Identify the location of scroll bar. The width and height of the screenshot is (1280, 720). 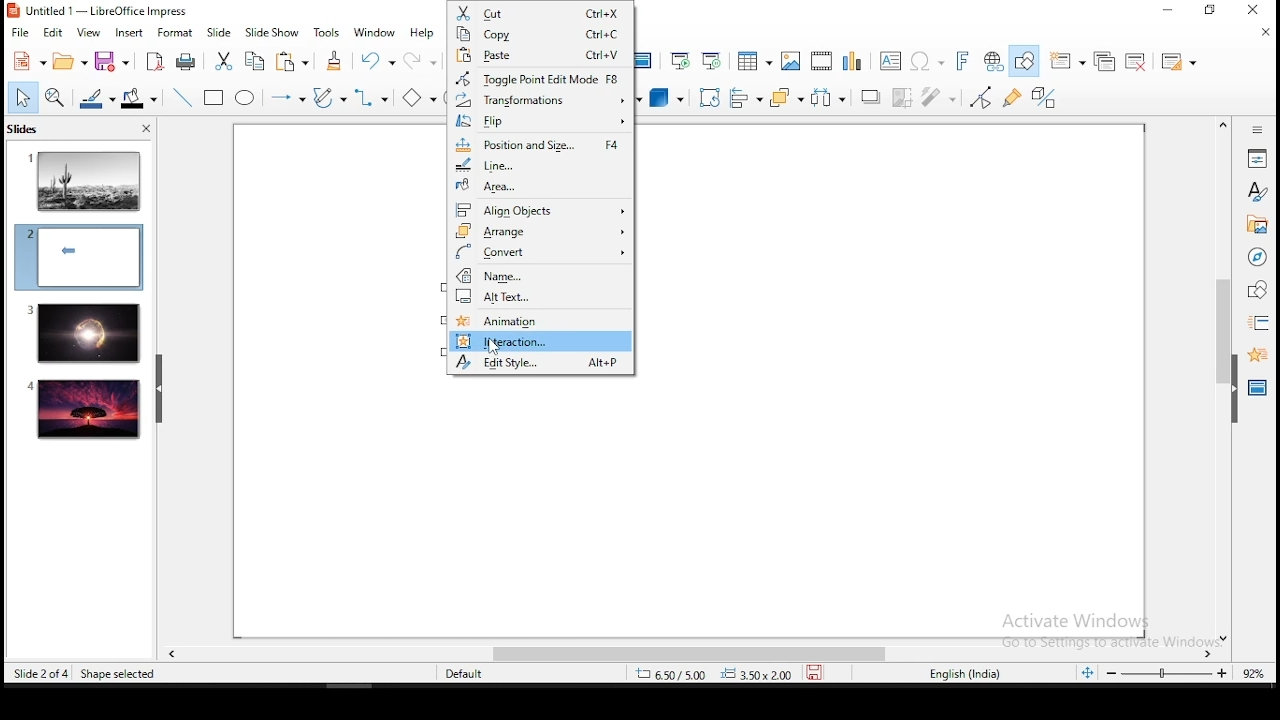
(681, 654).